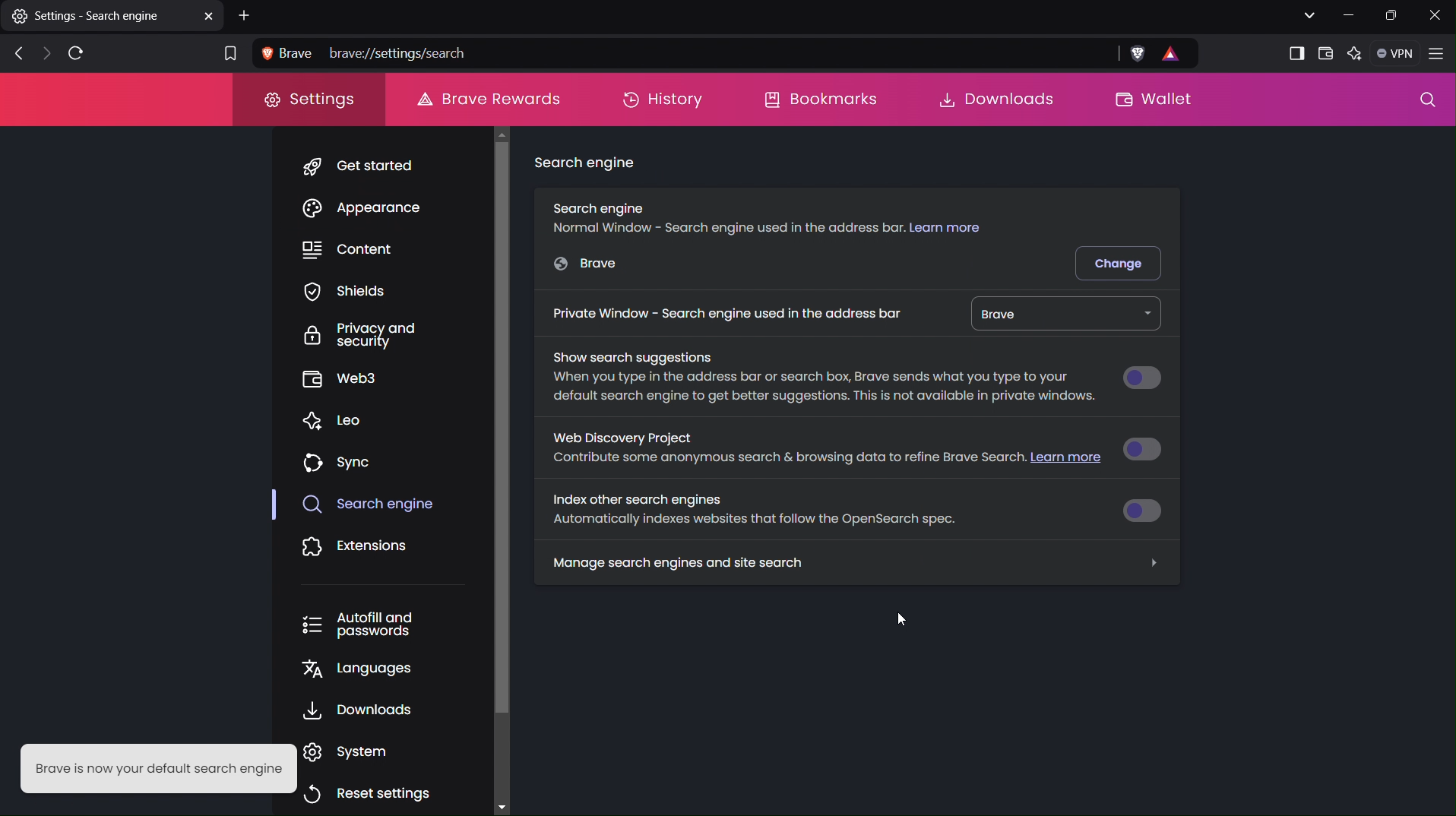 The width and height of the screenshot is (1456, 816). Describe the element at coordinates (497, 464) in the screenshot. I see `Scrollbar` at that location.